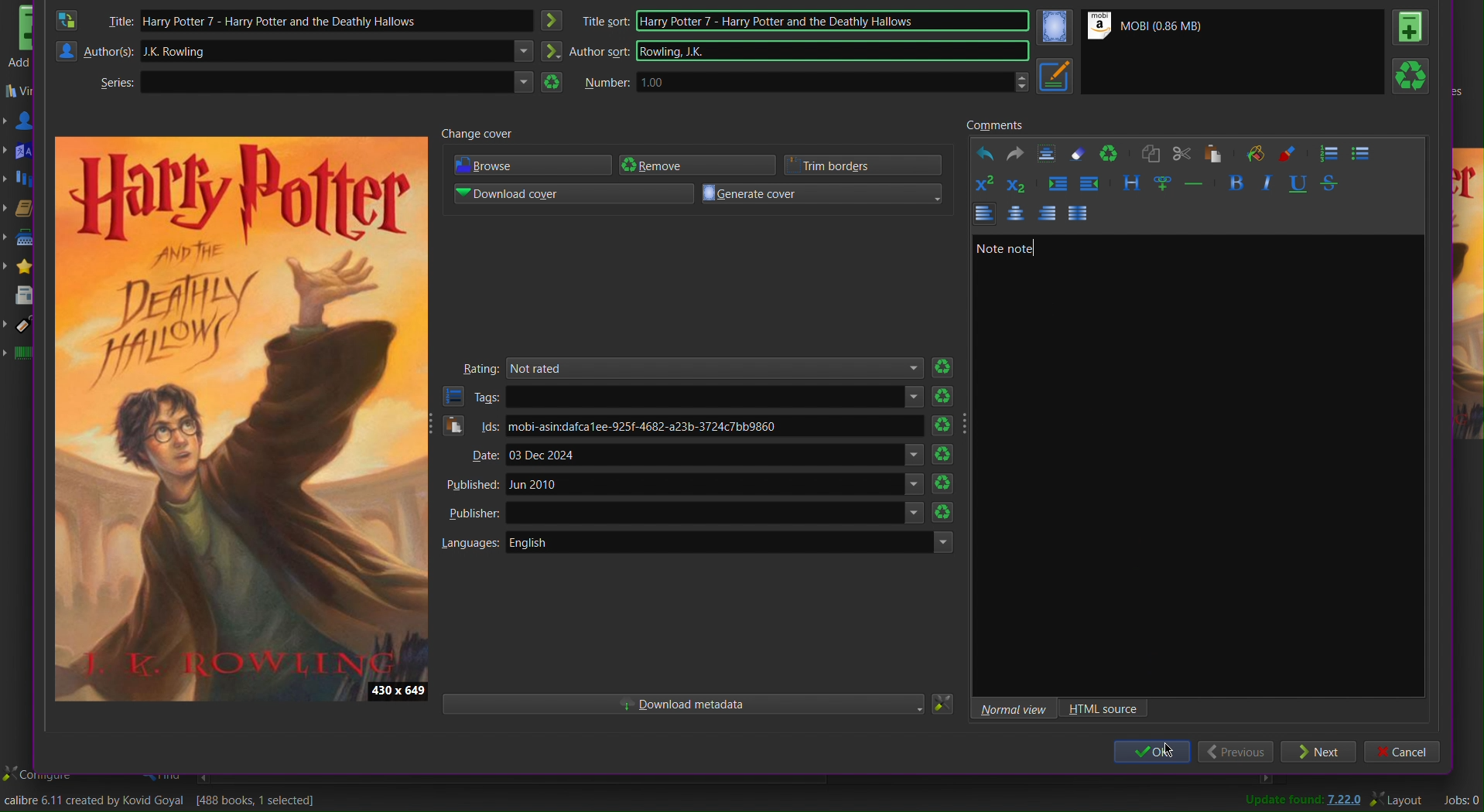  I want to click on refresh, so click(942, 394).